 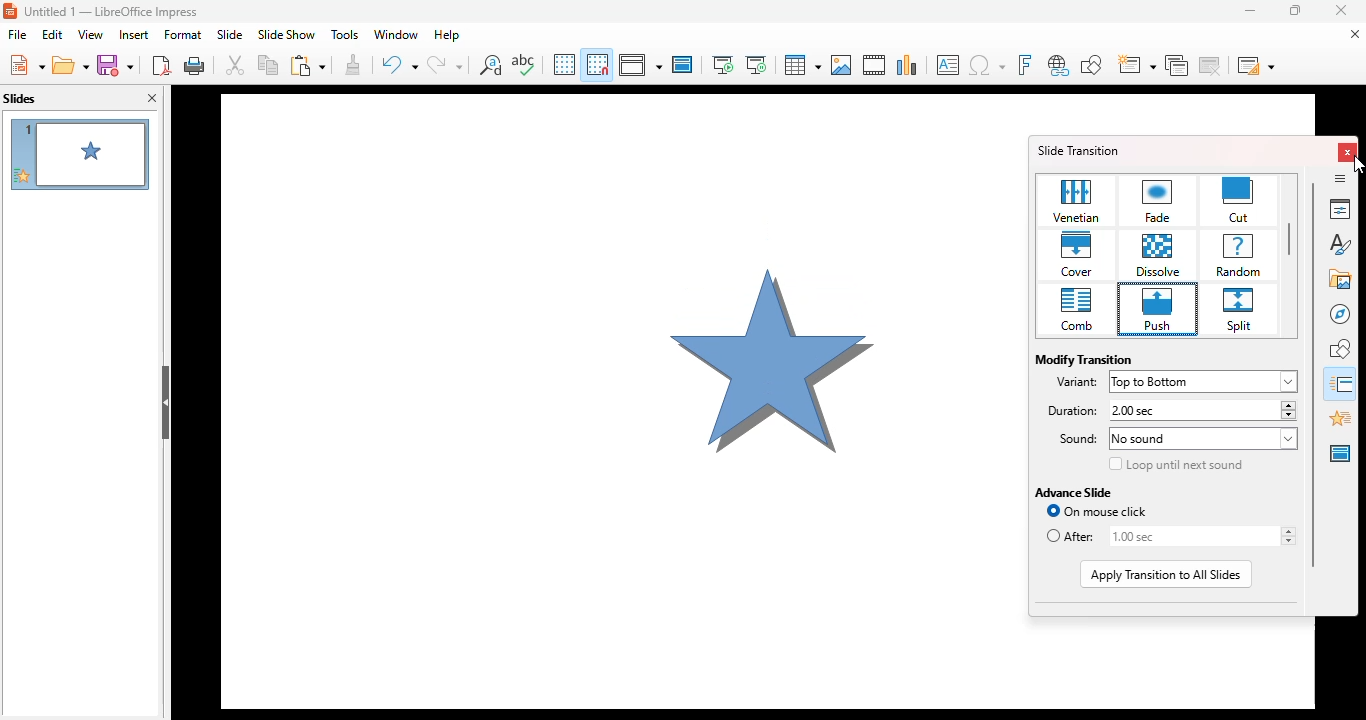 I want to click on on mouse click, so click(x=1097, y=511).